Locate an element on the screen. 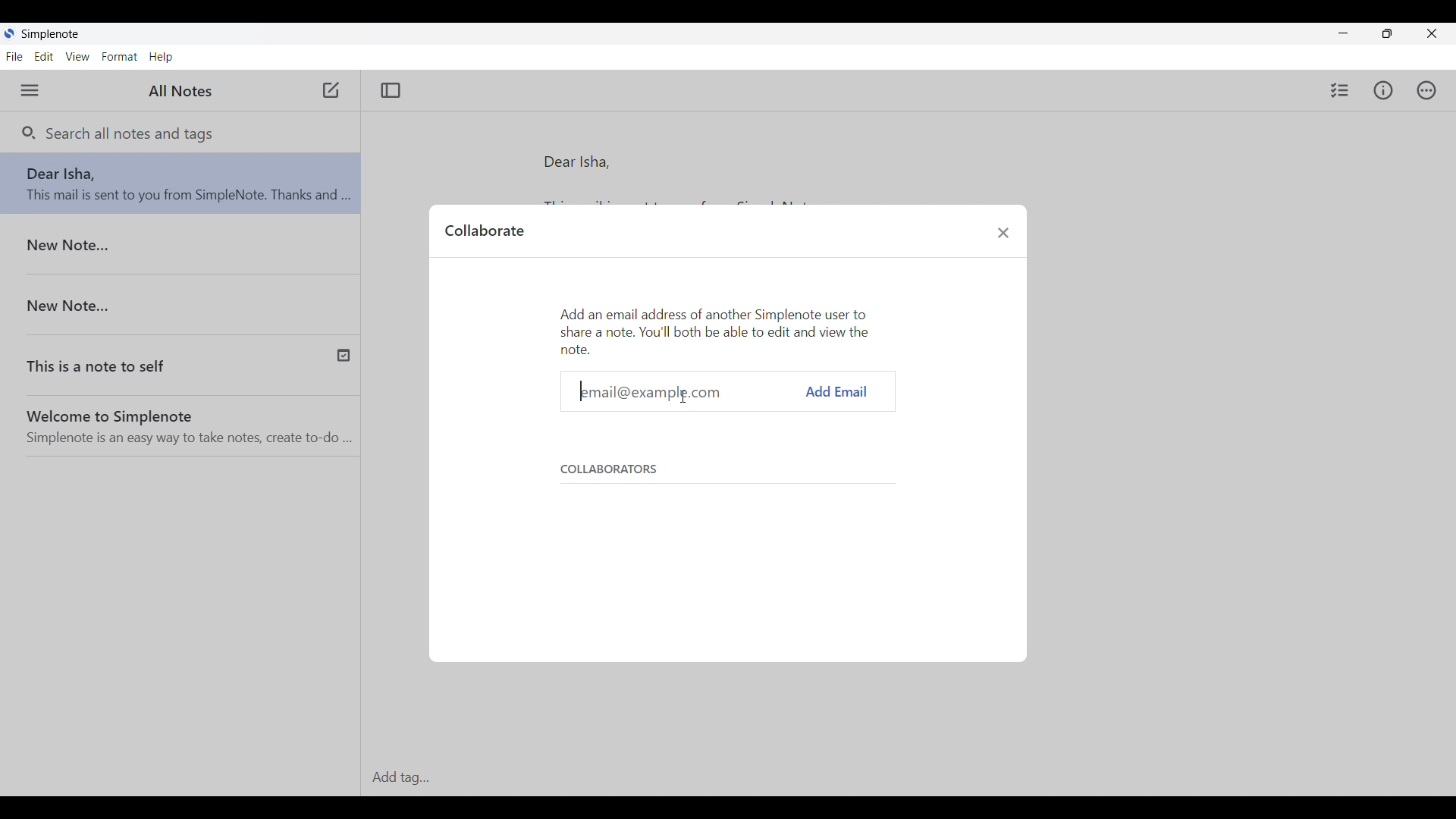  Format is located at coordinates (120, 57).